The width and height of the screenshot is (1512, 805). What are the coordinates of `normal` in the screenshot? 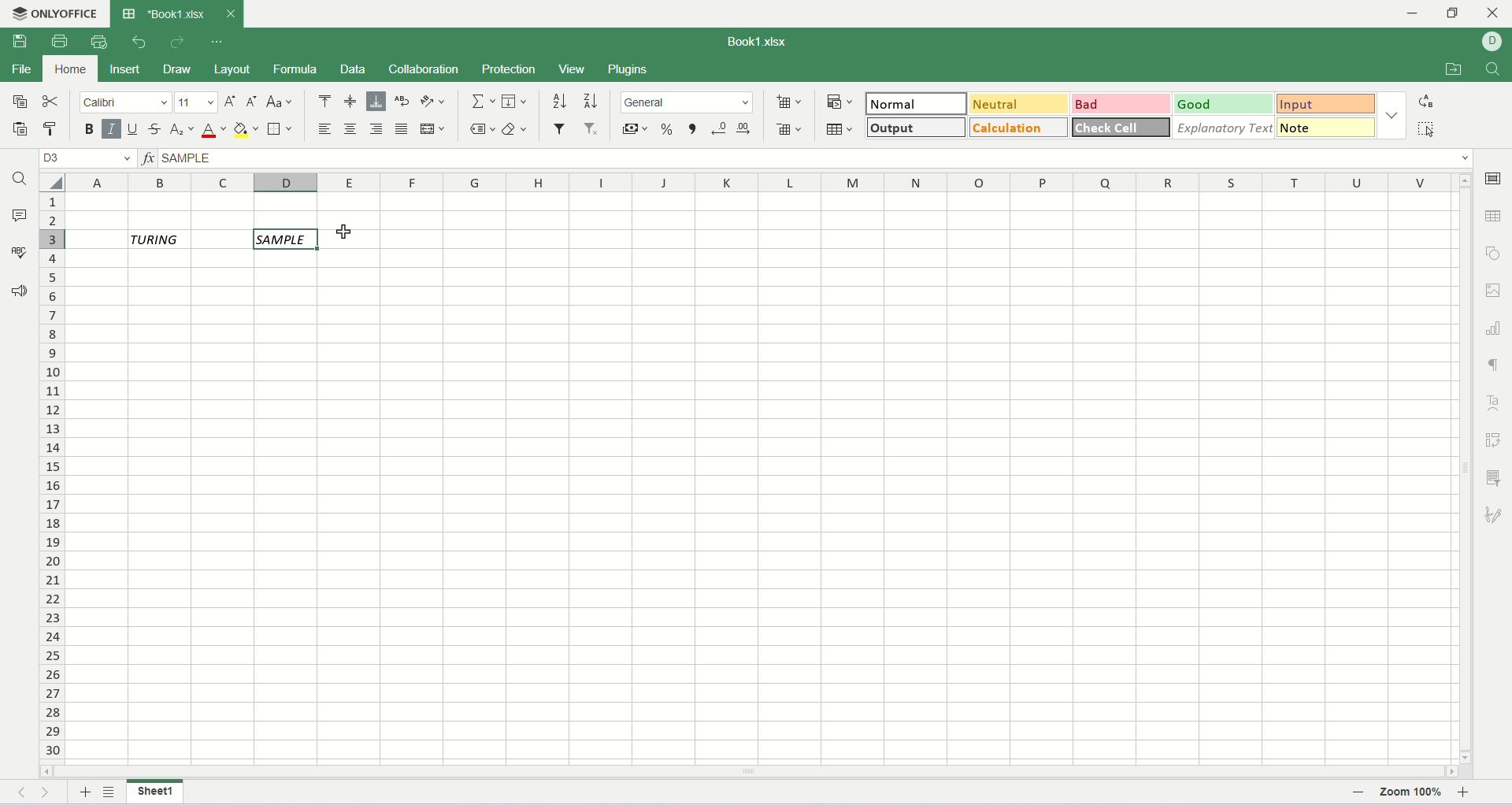 It's located at (914, 102).